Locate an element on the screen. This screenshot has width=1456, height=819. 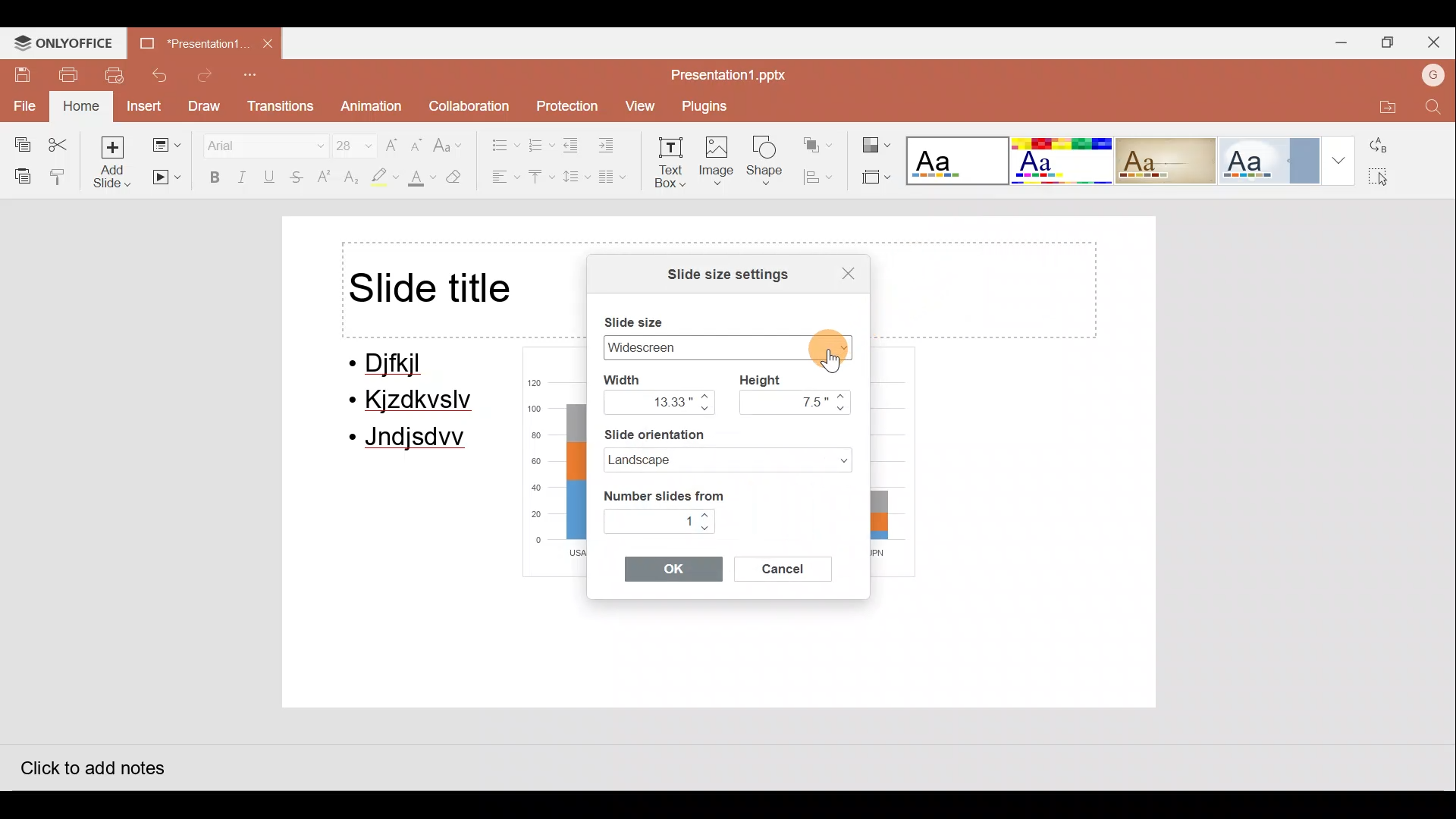
Arrange shape is located at coordinates (820, 140).